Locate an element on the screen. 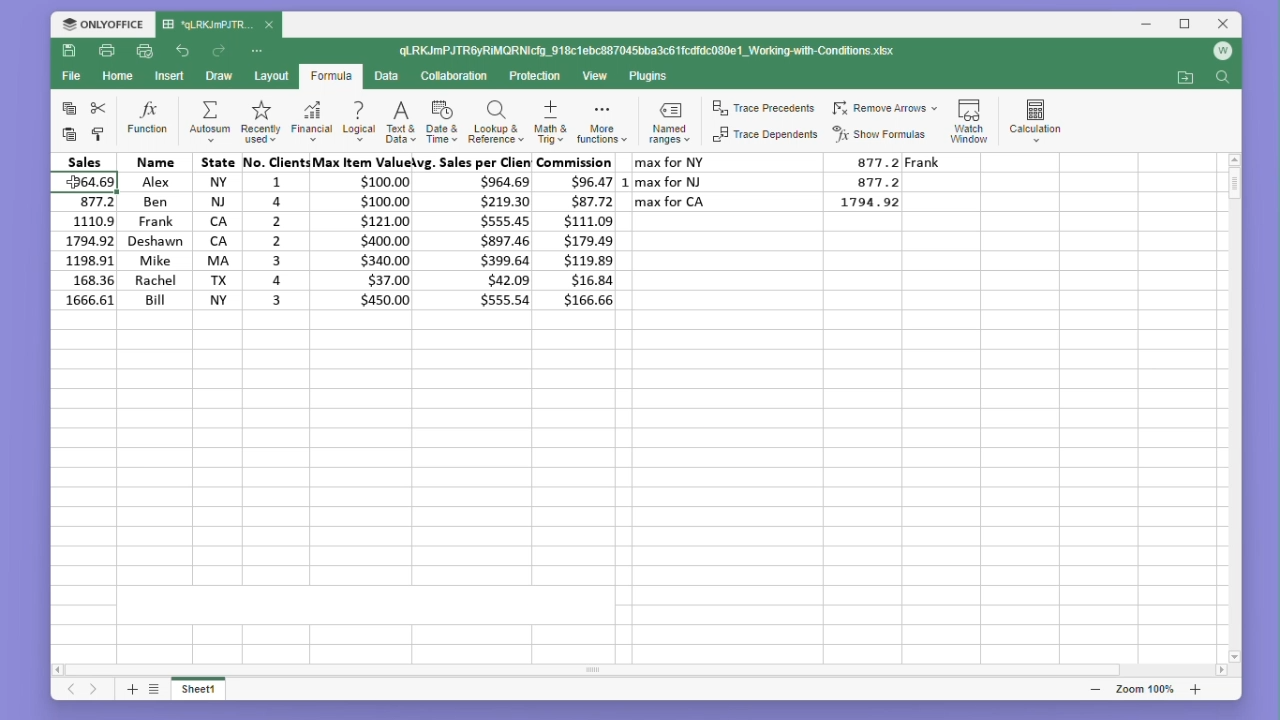 This screenshot has height=720, width=1280. paste is located at coordinates (70, 135).